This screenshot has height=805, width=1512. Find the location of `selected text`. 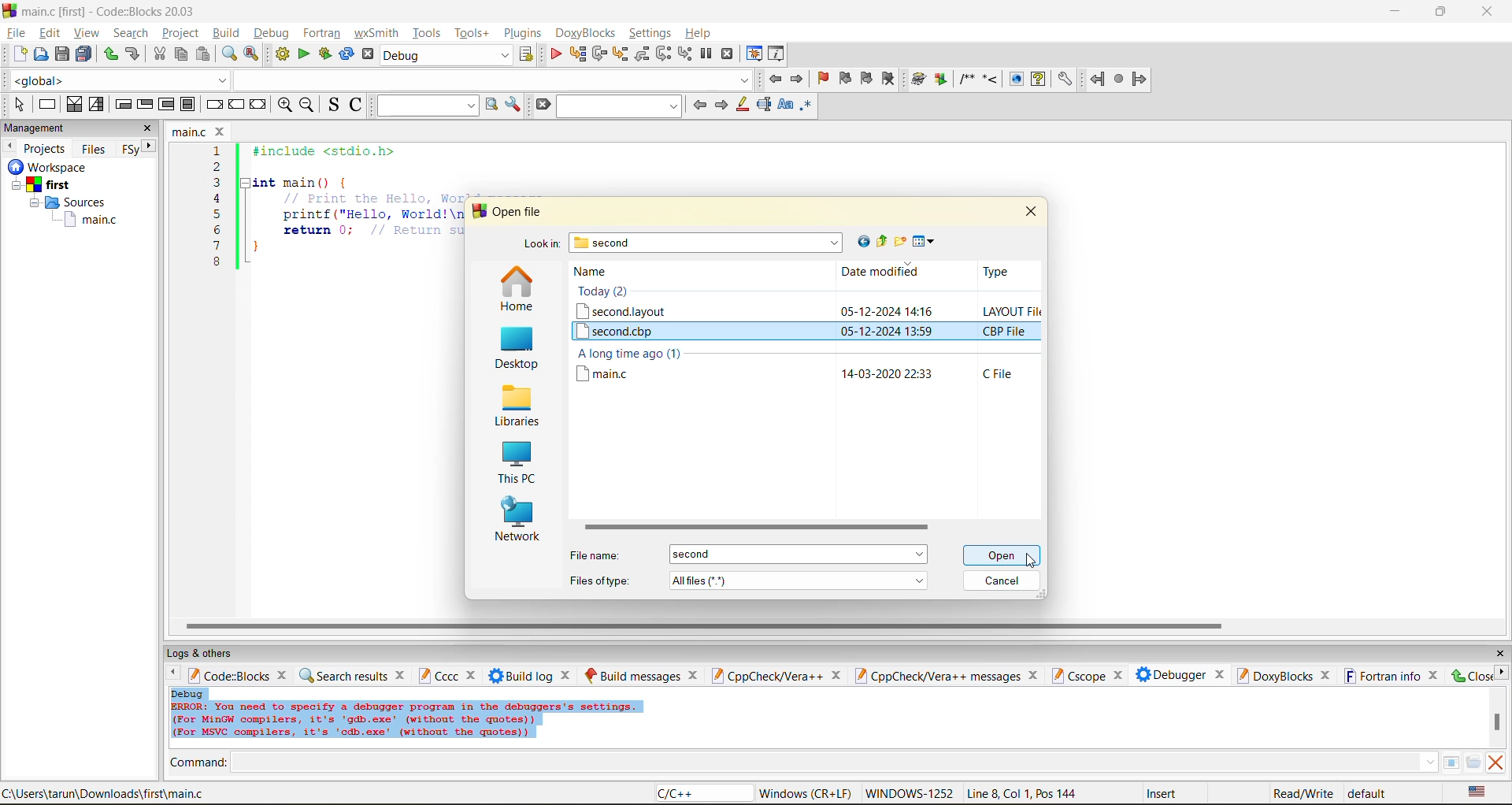

selected text is located at coordinates (764, 105).